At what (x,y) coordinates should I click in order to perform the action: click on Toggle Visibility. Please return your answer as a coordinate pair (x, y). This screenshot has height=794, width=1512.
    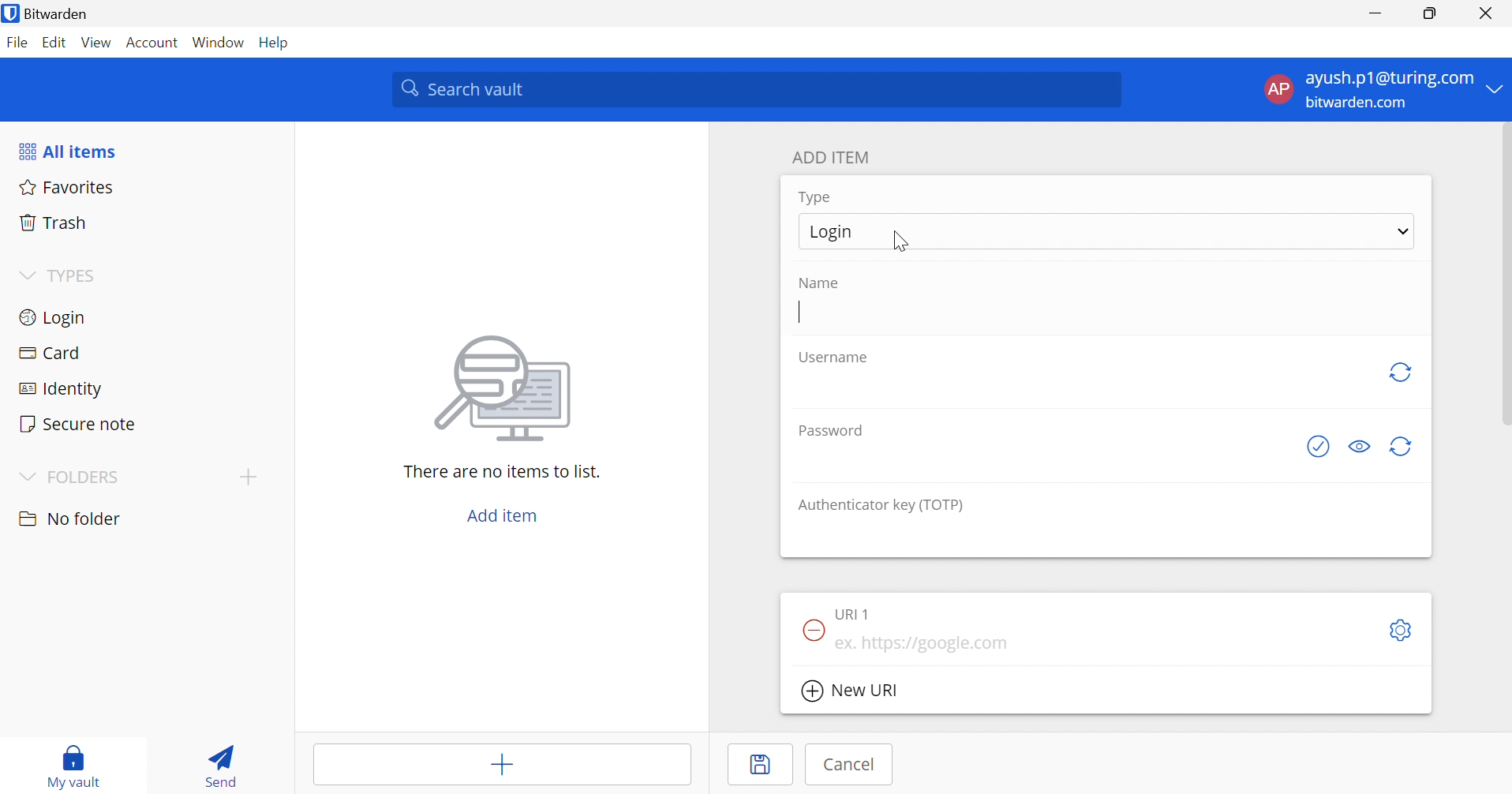
    Looking at the image, I should click on (1360, 448).